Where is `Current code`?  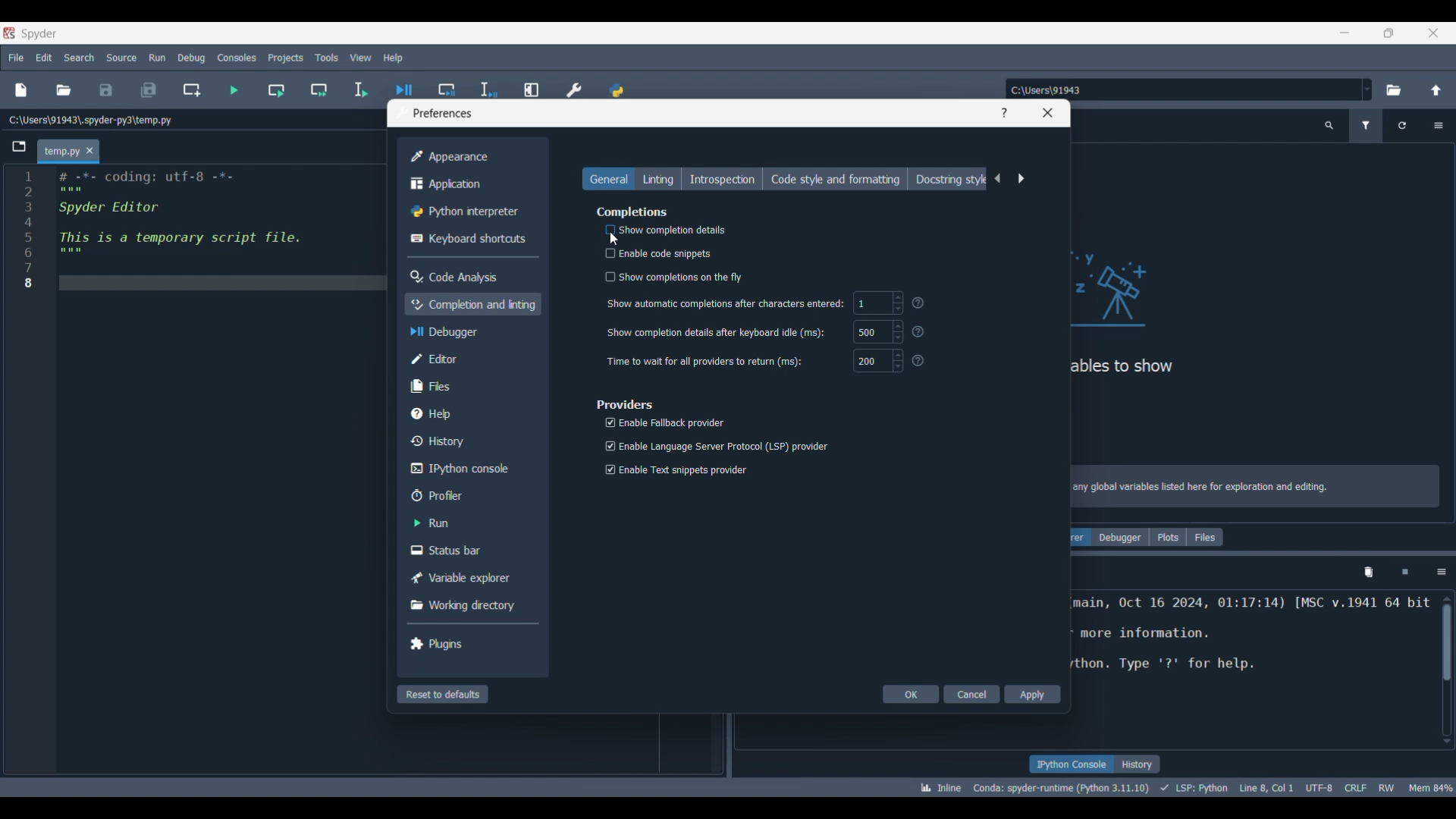 Current code is located at coordinates (202, 228).